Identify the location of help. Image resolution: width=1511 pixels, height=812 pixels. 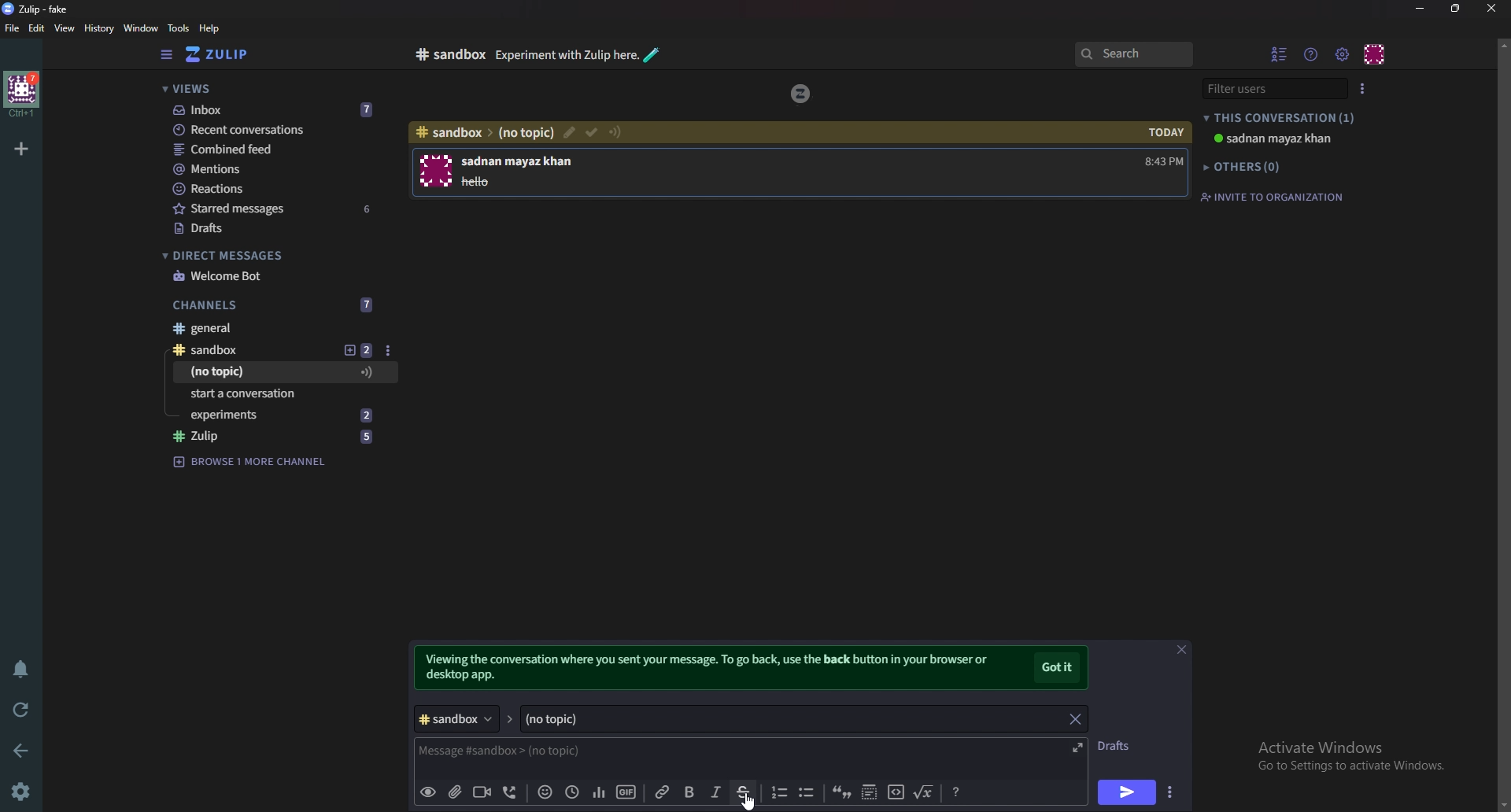
(210, 28).